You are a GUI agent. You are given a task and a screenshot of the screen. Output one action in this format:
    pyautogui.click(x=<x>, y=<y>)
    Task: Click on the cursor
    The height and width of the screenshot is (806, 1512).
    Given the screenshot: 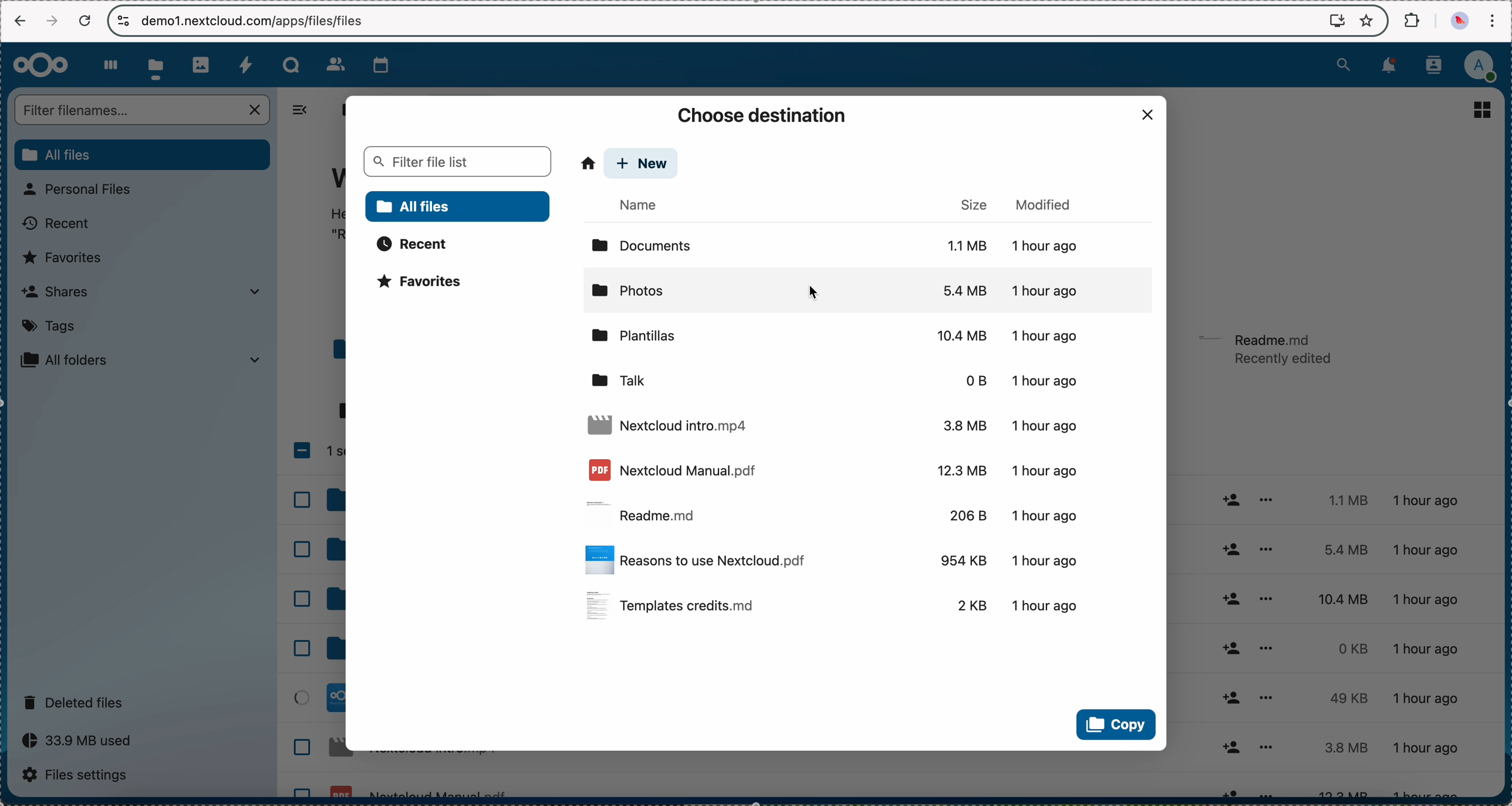 What is the action you would take?
    pyautogui.click(x=811, y=294)
    